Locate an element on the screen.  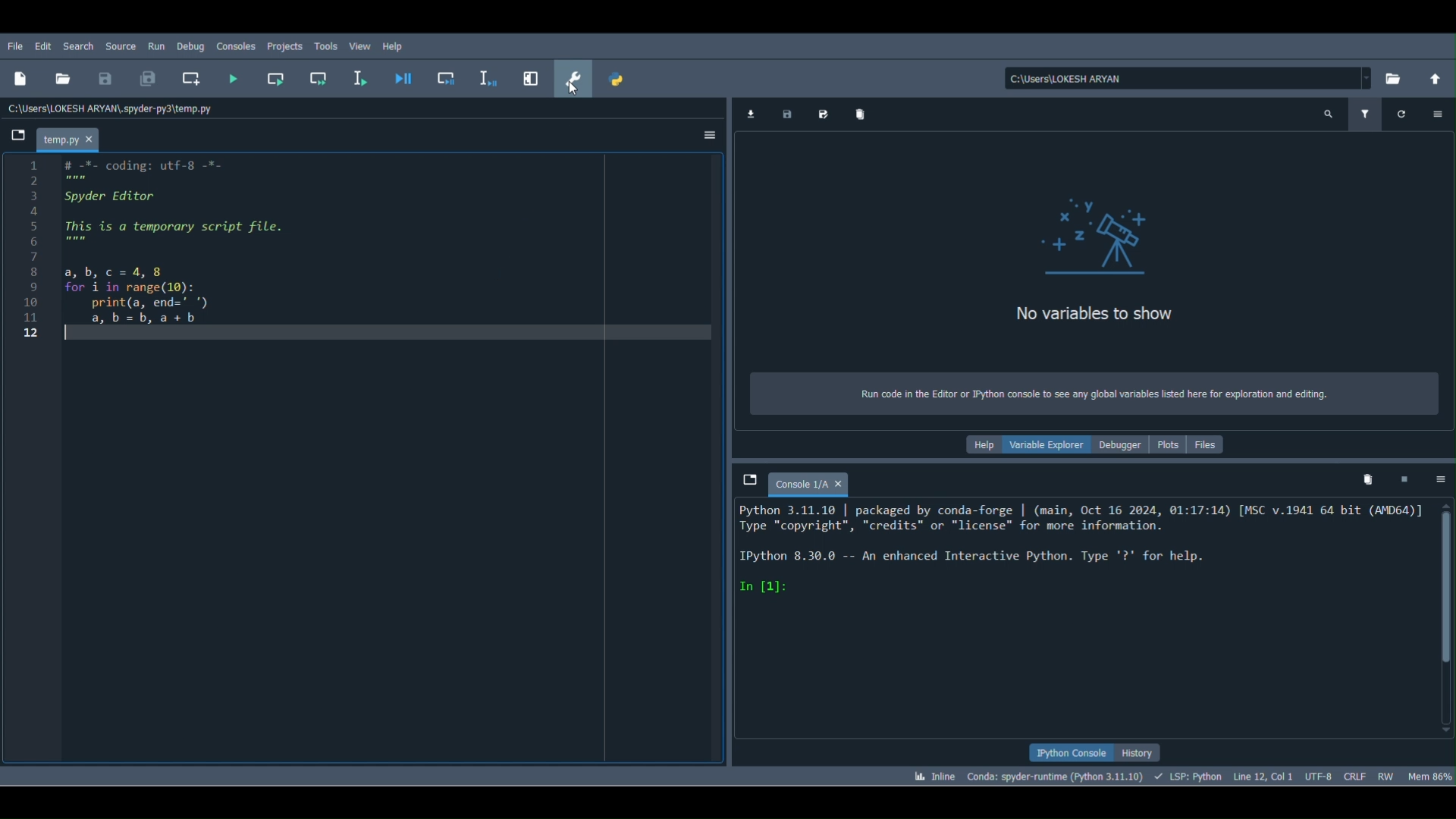
Run is located at coordinates (158, 49).